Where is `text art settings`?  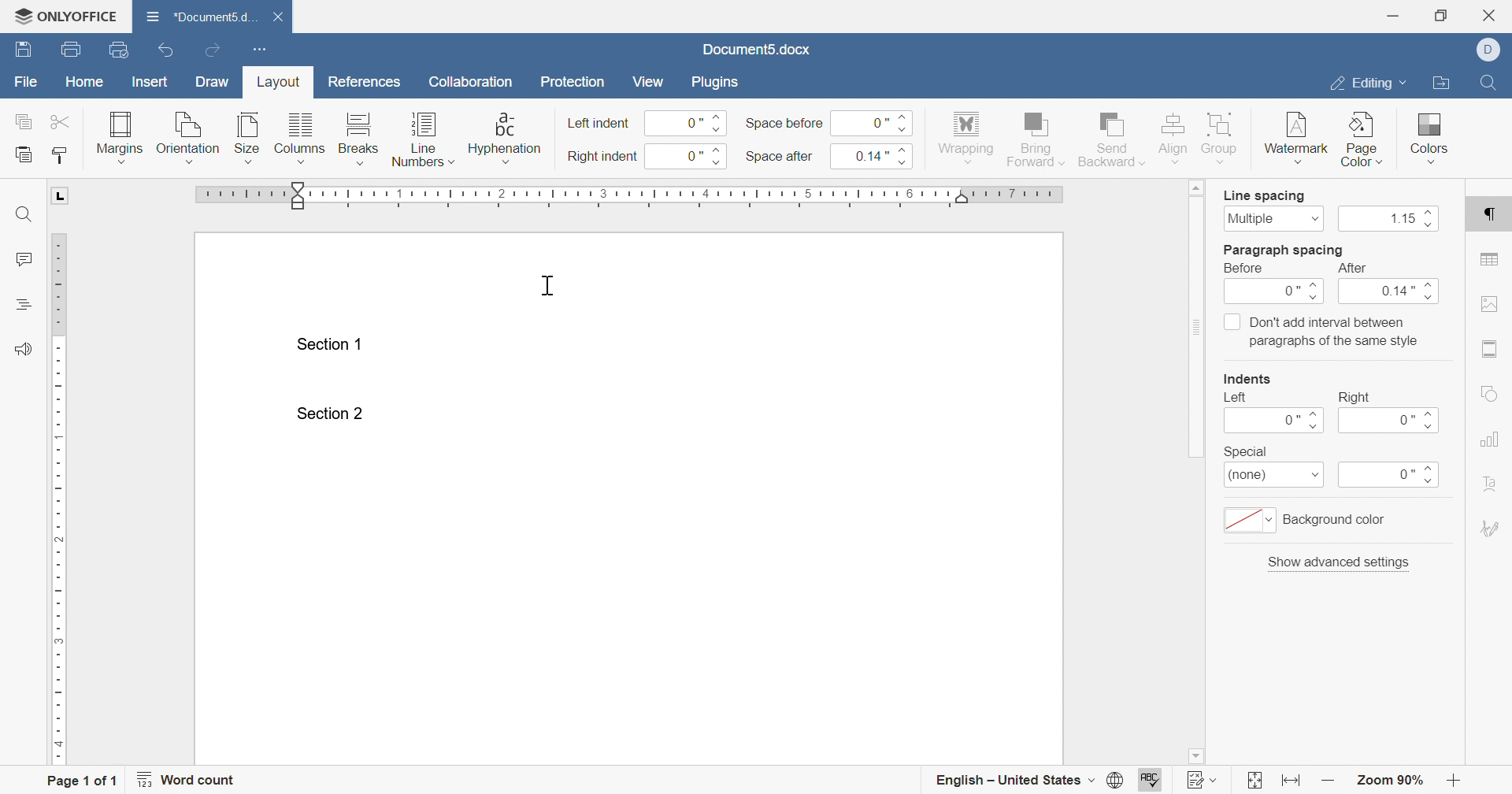 text art settings is located at coordinates (1488, 482).